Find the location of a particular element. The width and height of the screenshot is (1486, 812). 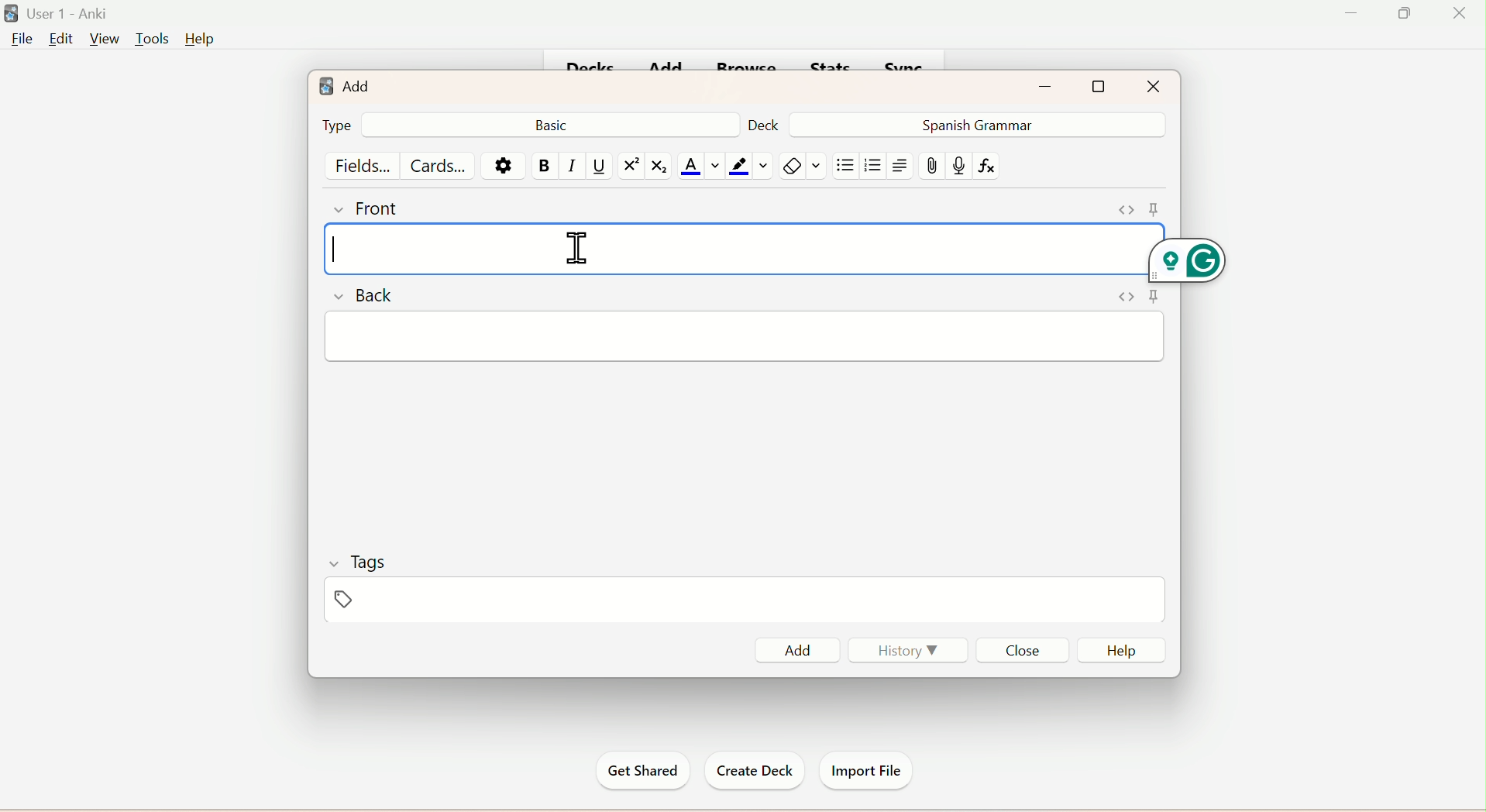

Text Color is located at coordinates (699, 167).